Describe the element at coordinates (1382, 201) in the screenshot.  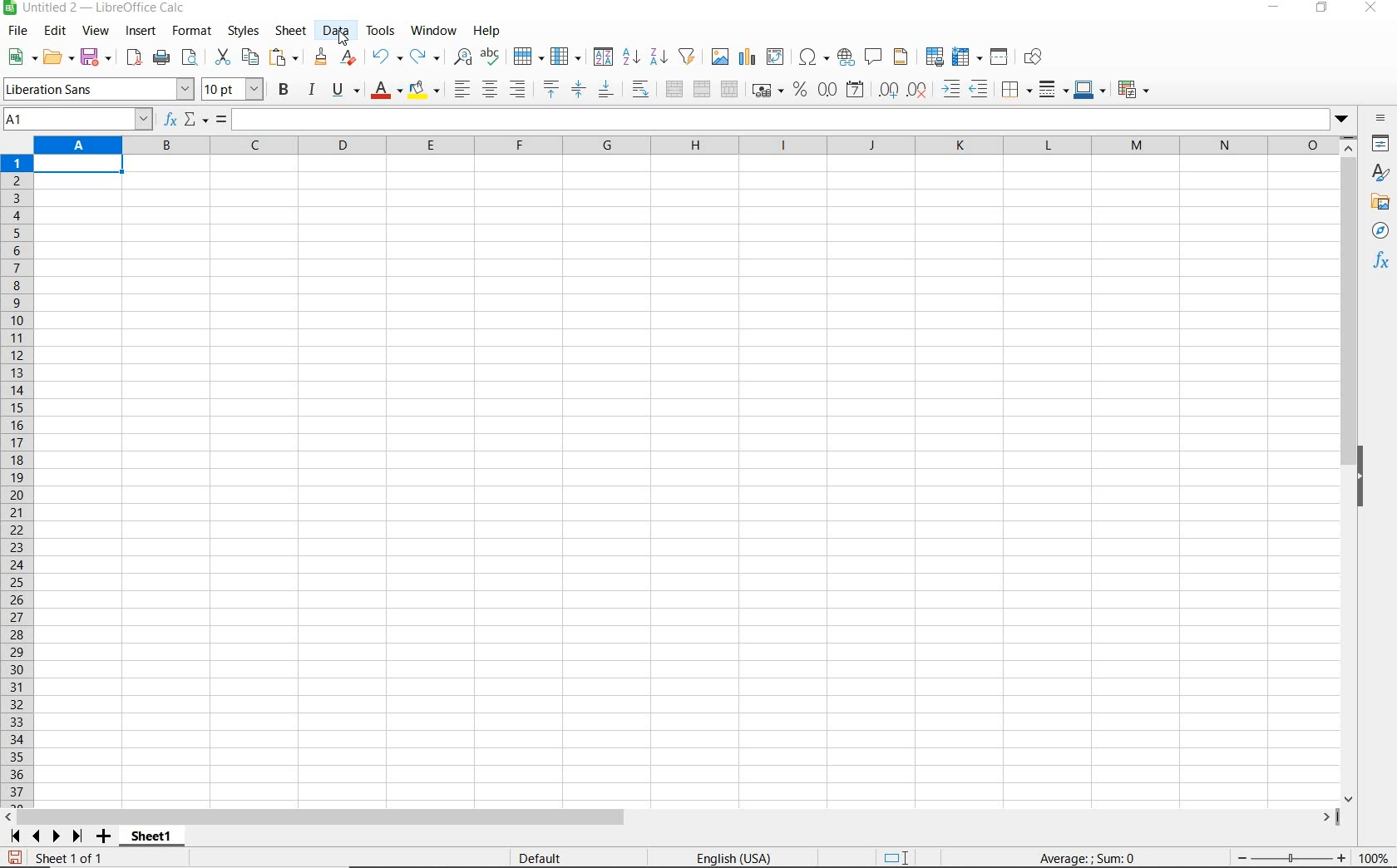
I see `gallery` at that location.